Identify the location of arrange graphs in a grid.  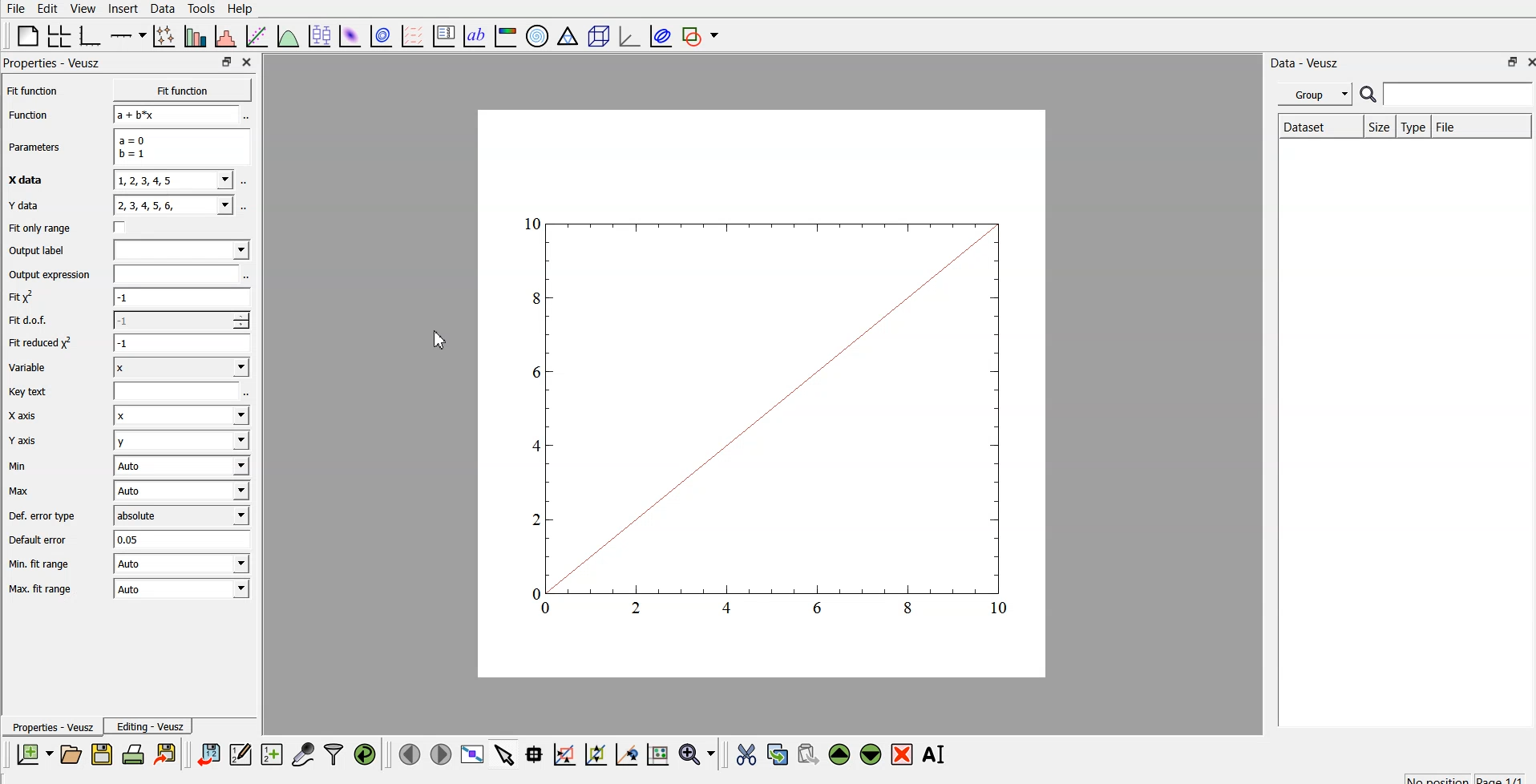
(59, 34).